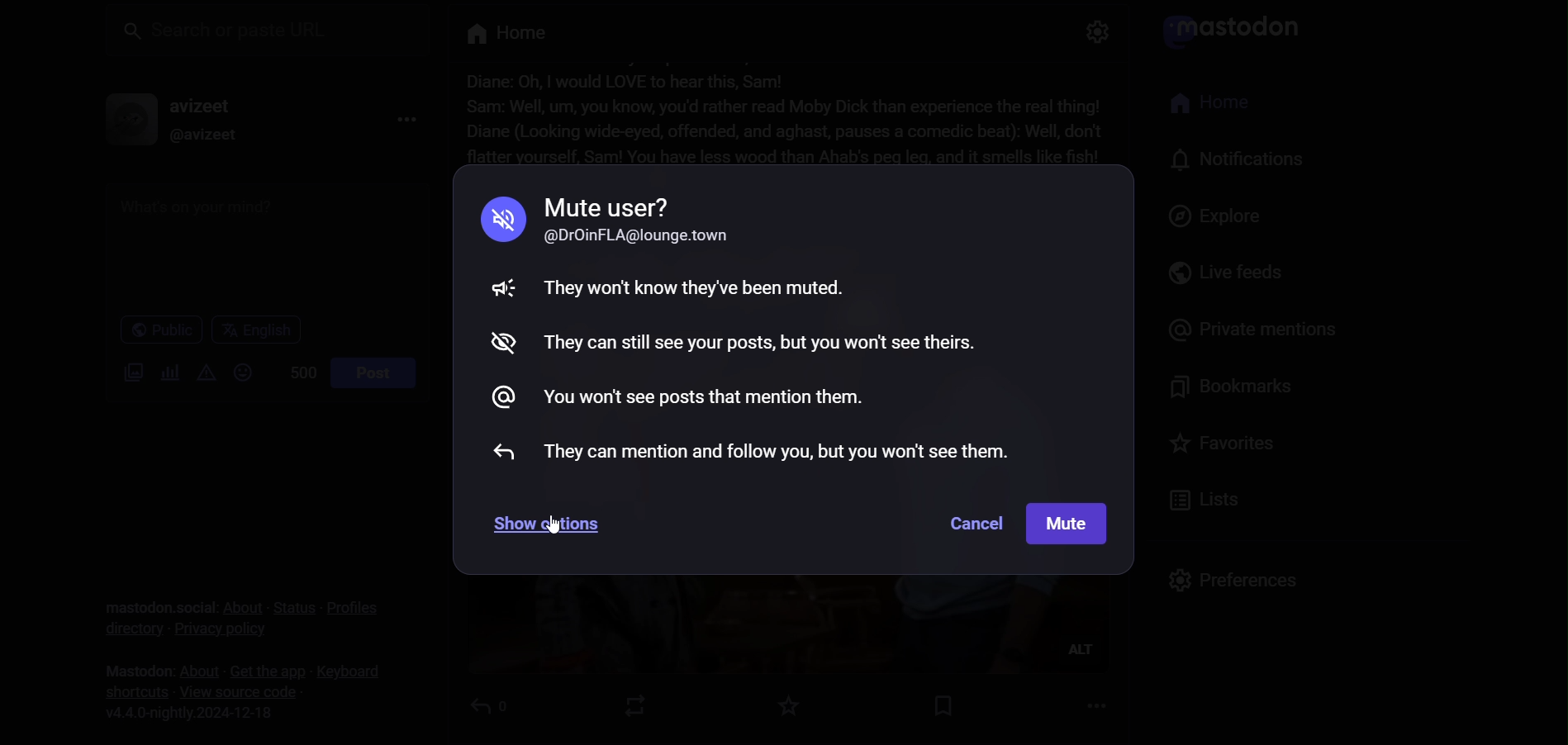 Image resolution: width=1568 pixels, height=745 pixels. What do you see at coordinates (969, 523) in the screenshot?
I see `cancel` at bounding box center [969, 523].